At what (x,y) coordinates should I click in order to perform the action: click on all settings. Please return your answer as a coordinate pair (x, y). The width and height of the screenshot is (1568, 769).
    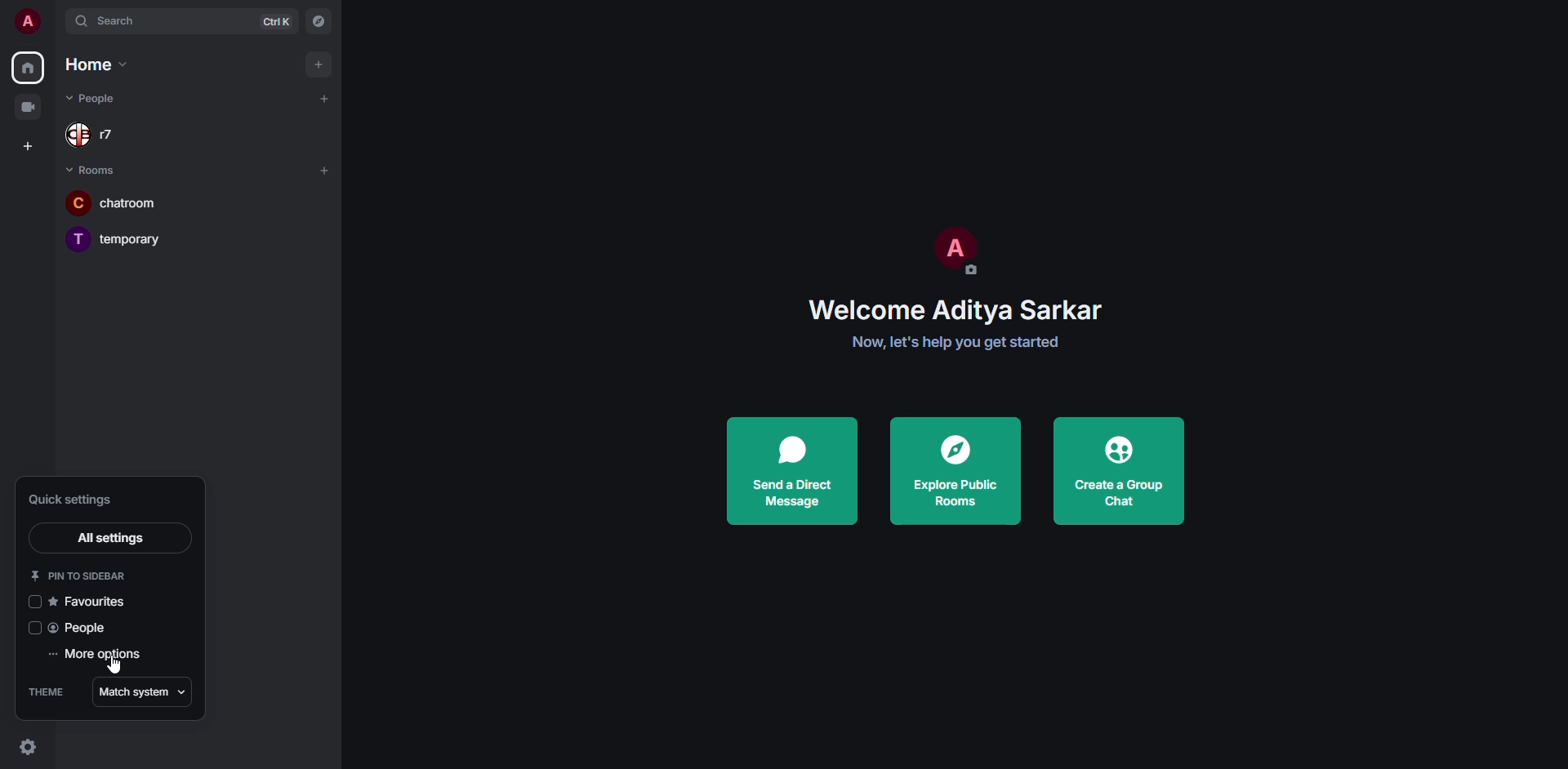
    Looking at the image, I should click on (109, 536).